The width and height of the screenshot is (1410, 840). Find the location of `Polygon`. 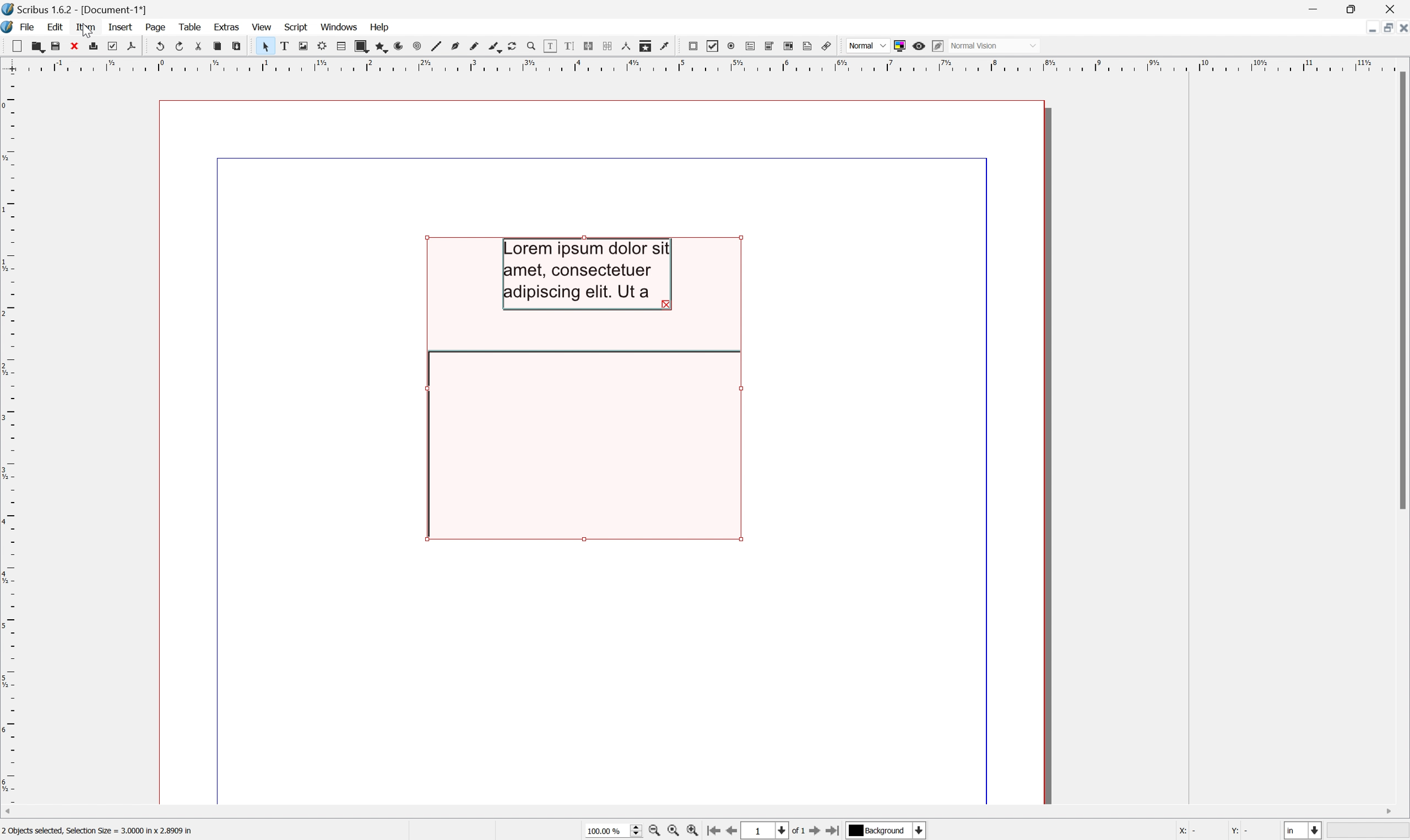

Polygon is located at coordinates (380, 44).